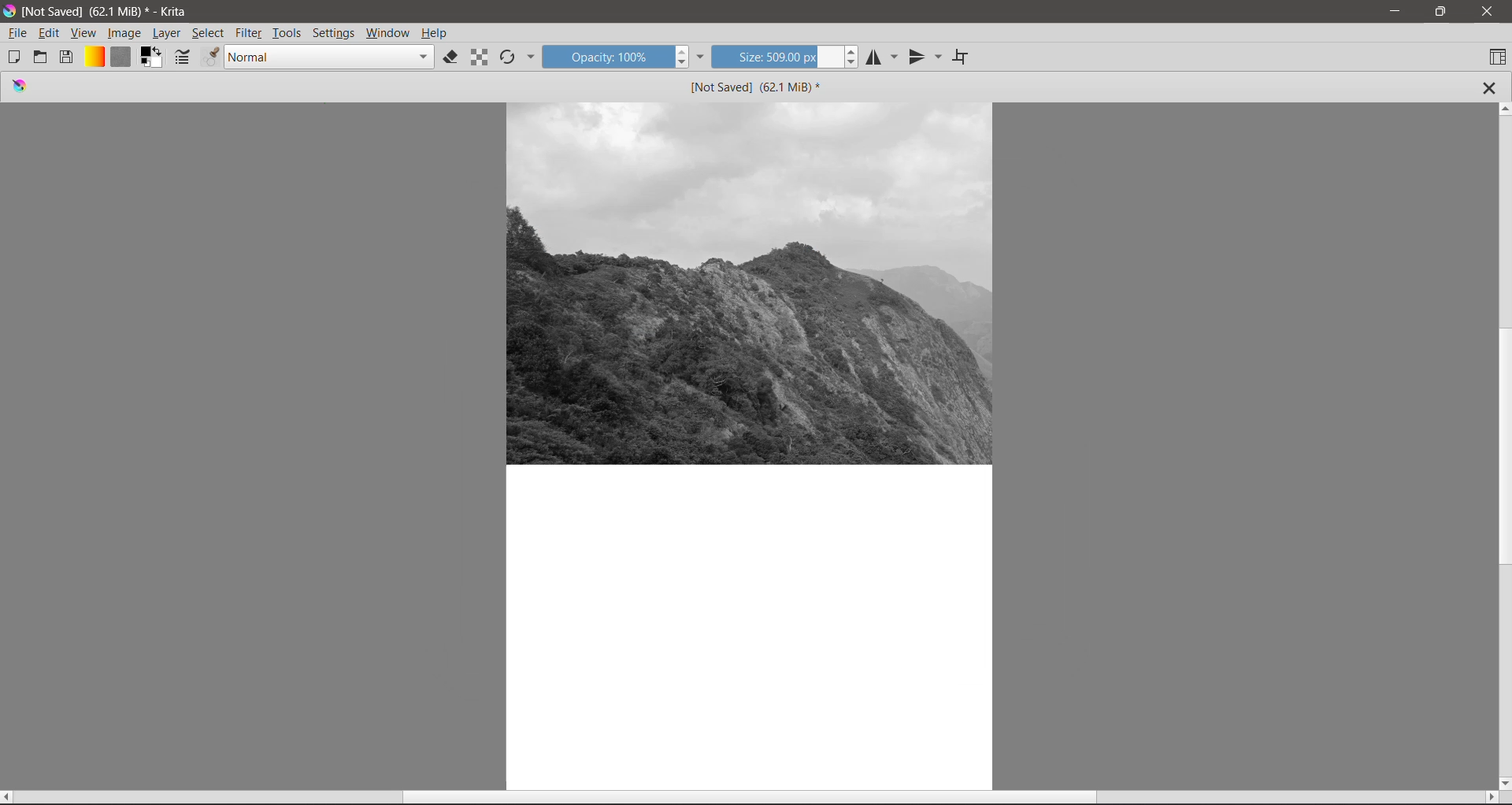 This screenshot has width=1512, height=805. What do you see at coordinates (169, 33) in the screenshot?
I see `Layer` at bounding box center [169, 33].